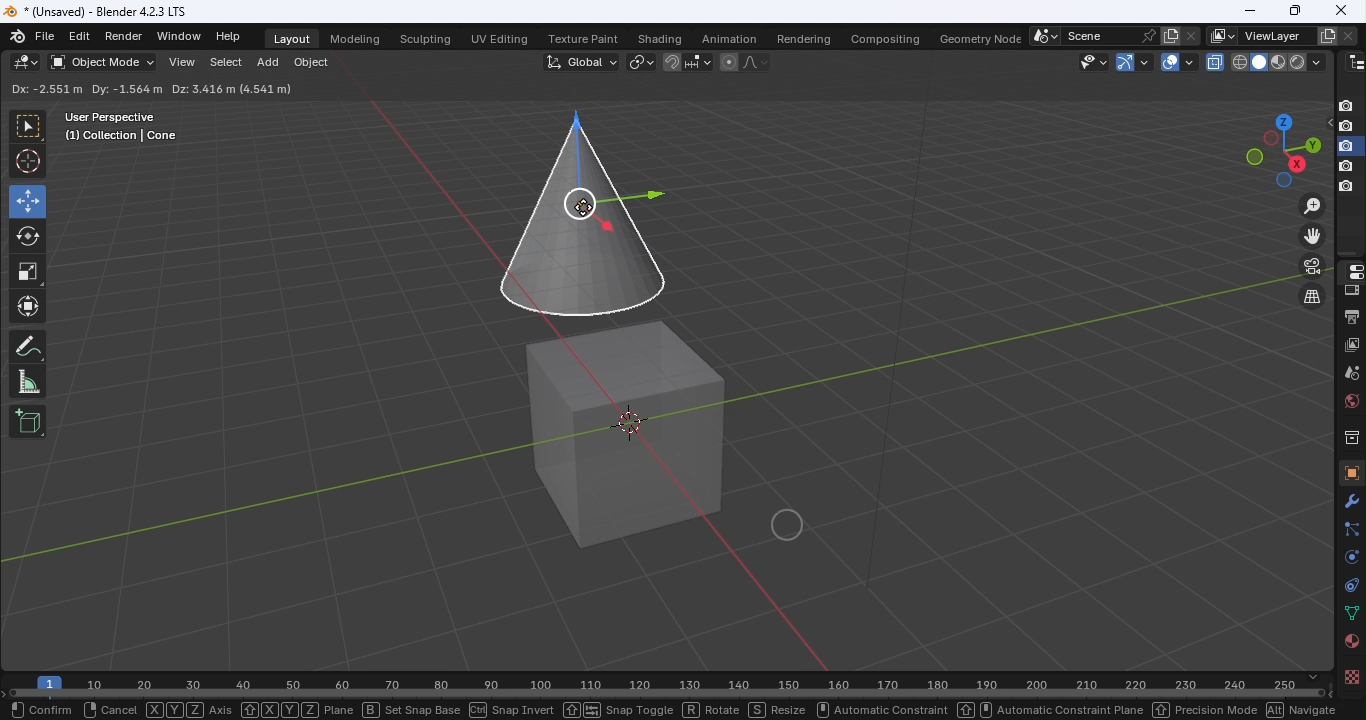  Describe the element at coordinates (28, 309) in the screenshot. I see `Transform` at that location.